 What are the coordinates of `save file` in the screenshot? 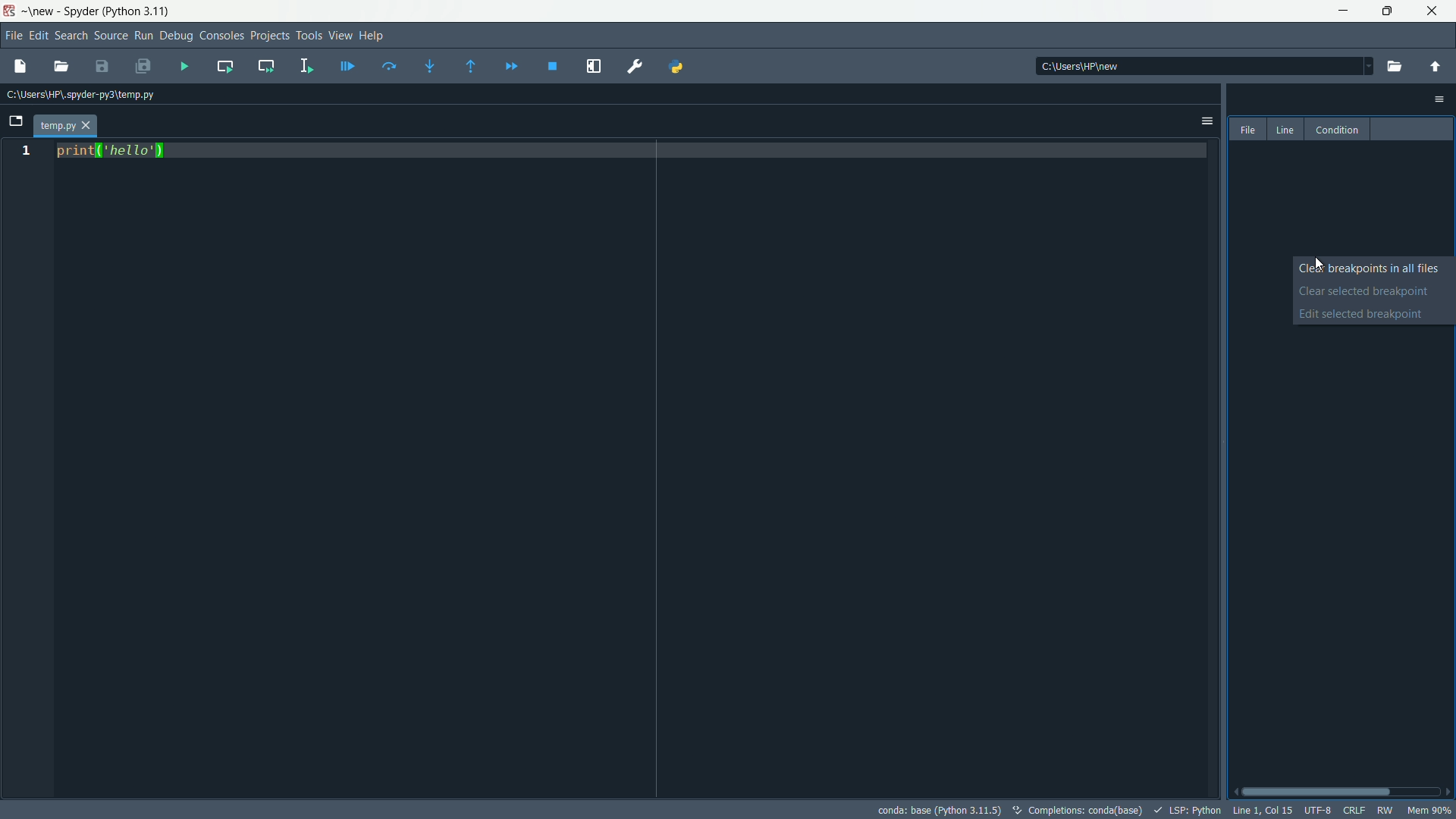 It's located at (103, 66).